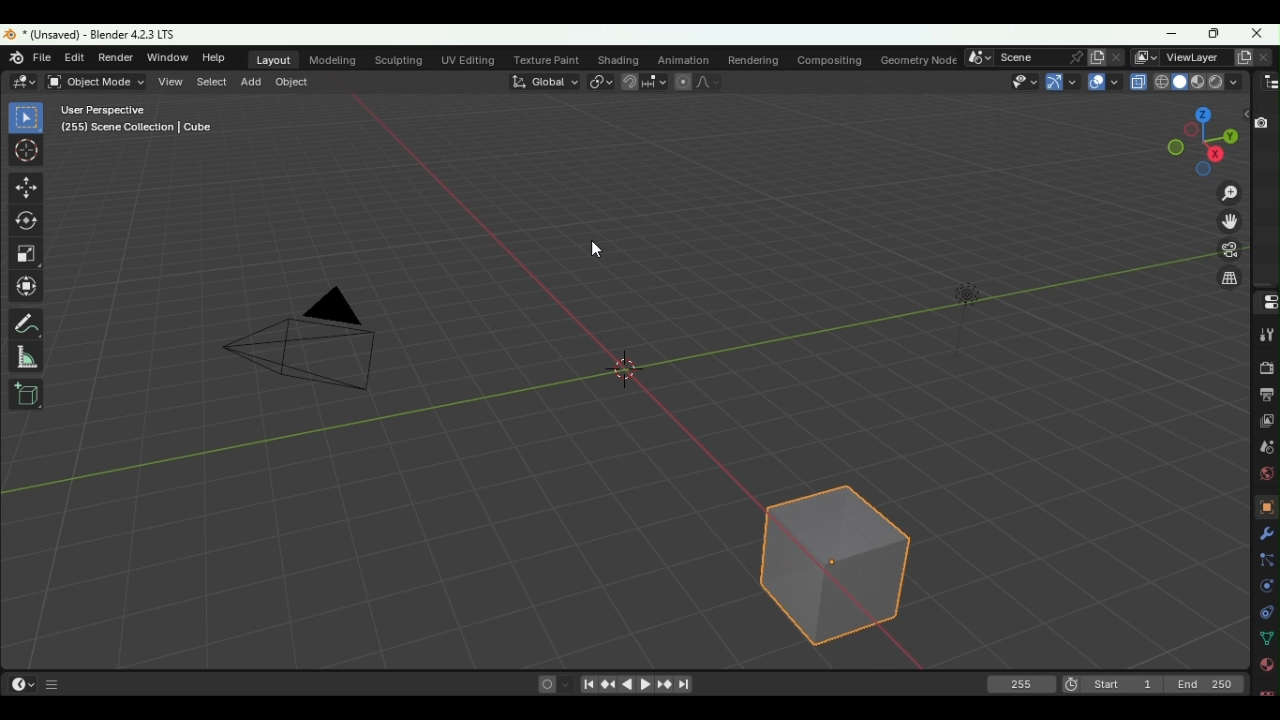 The image size is (1280, 720). I want to click on Current frame, so click(1023, 685).